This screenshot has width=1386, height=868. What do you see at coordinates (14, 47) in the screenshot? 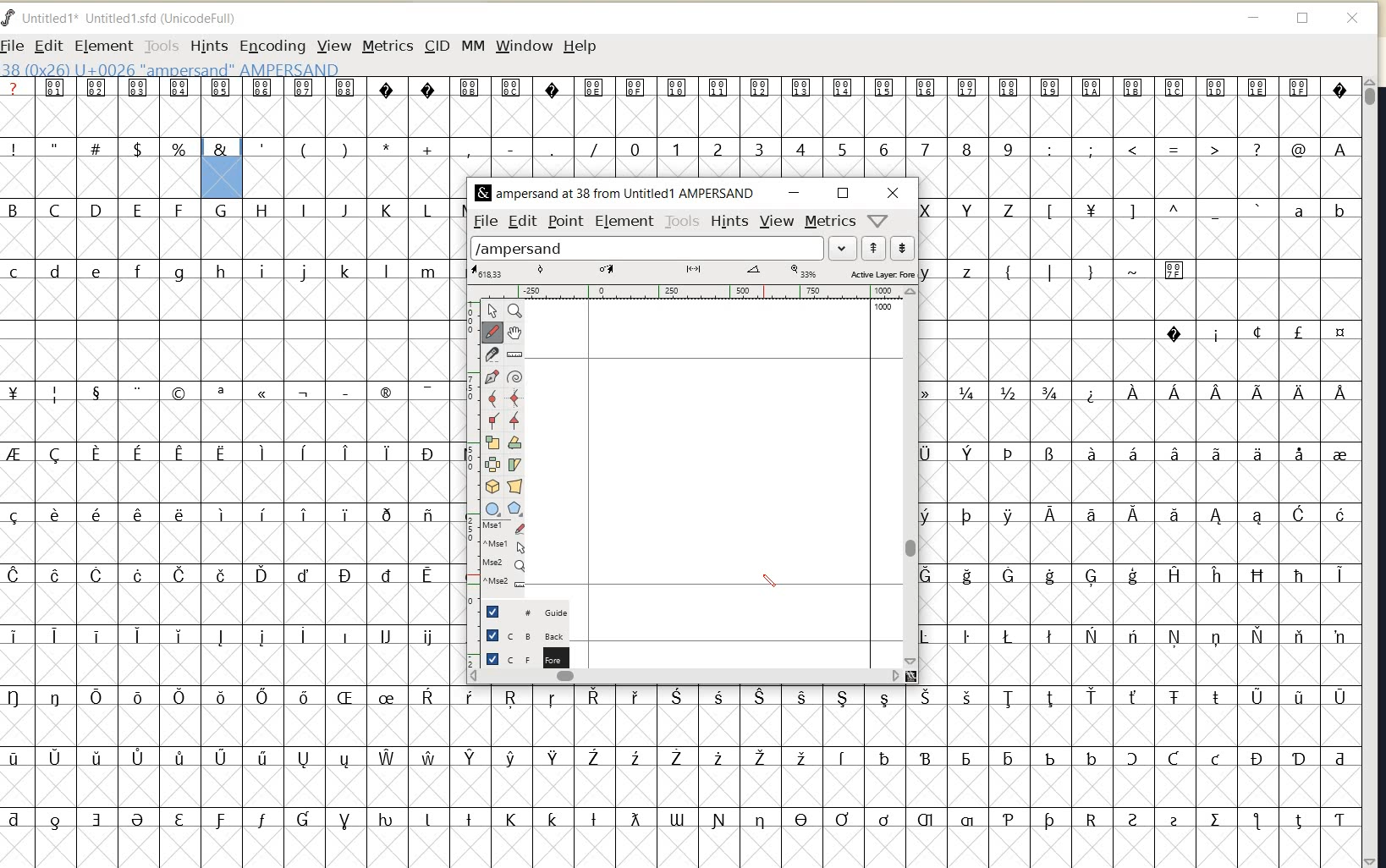
I see `FILE` at bounding box center [14, 47].